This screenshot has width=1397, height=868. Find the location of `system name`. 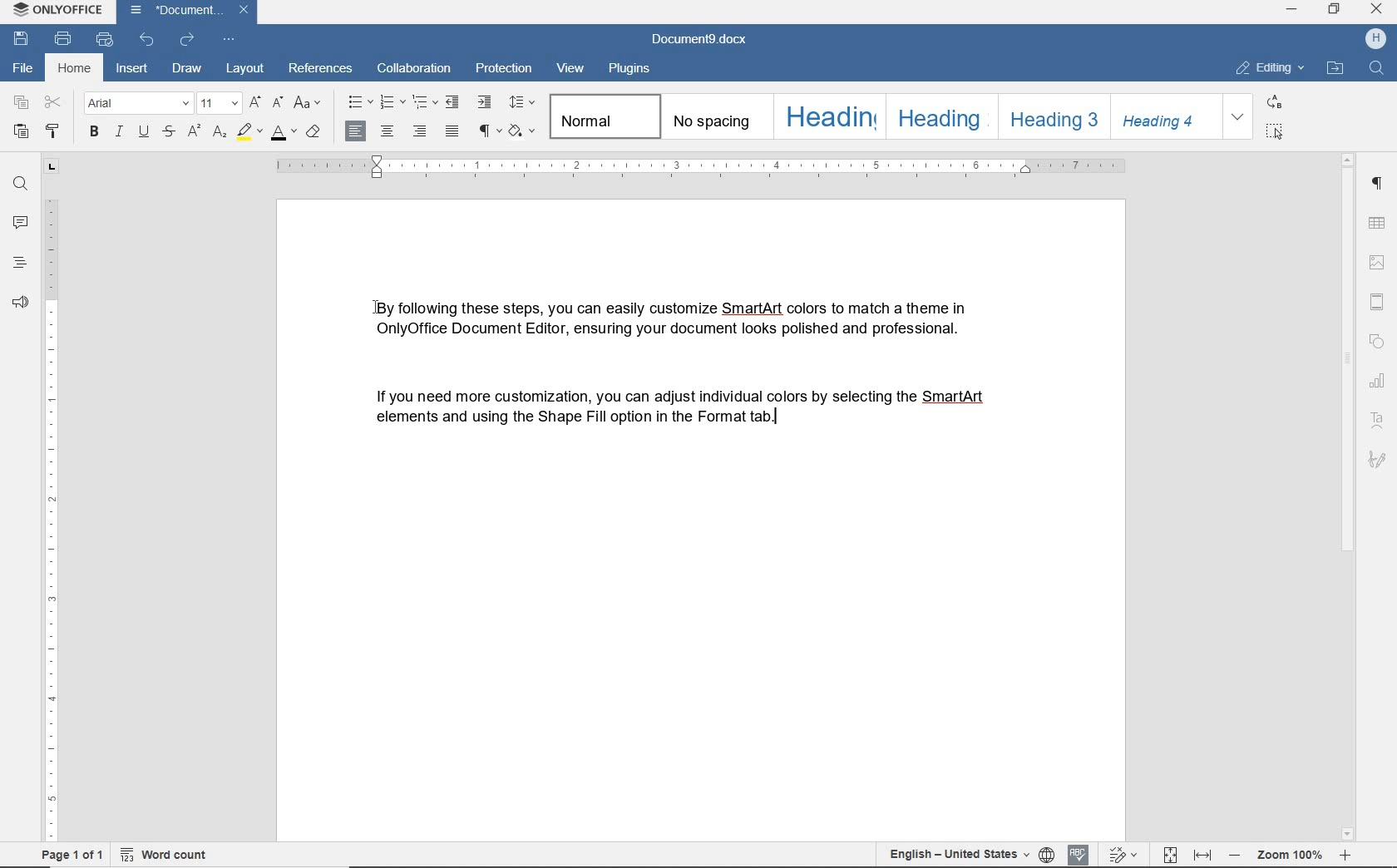

system name is located at coordinates (59, 11).